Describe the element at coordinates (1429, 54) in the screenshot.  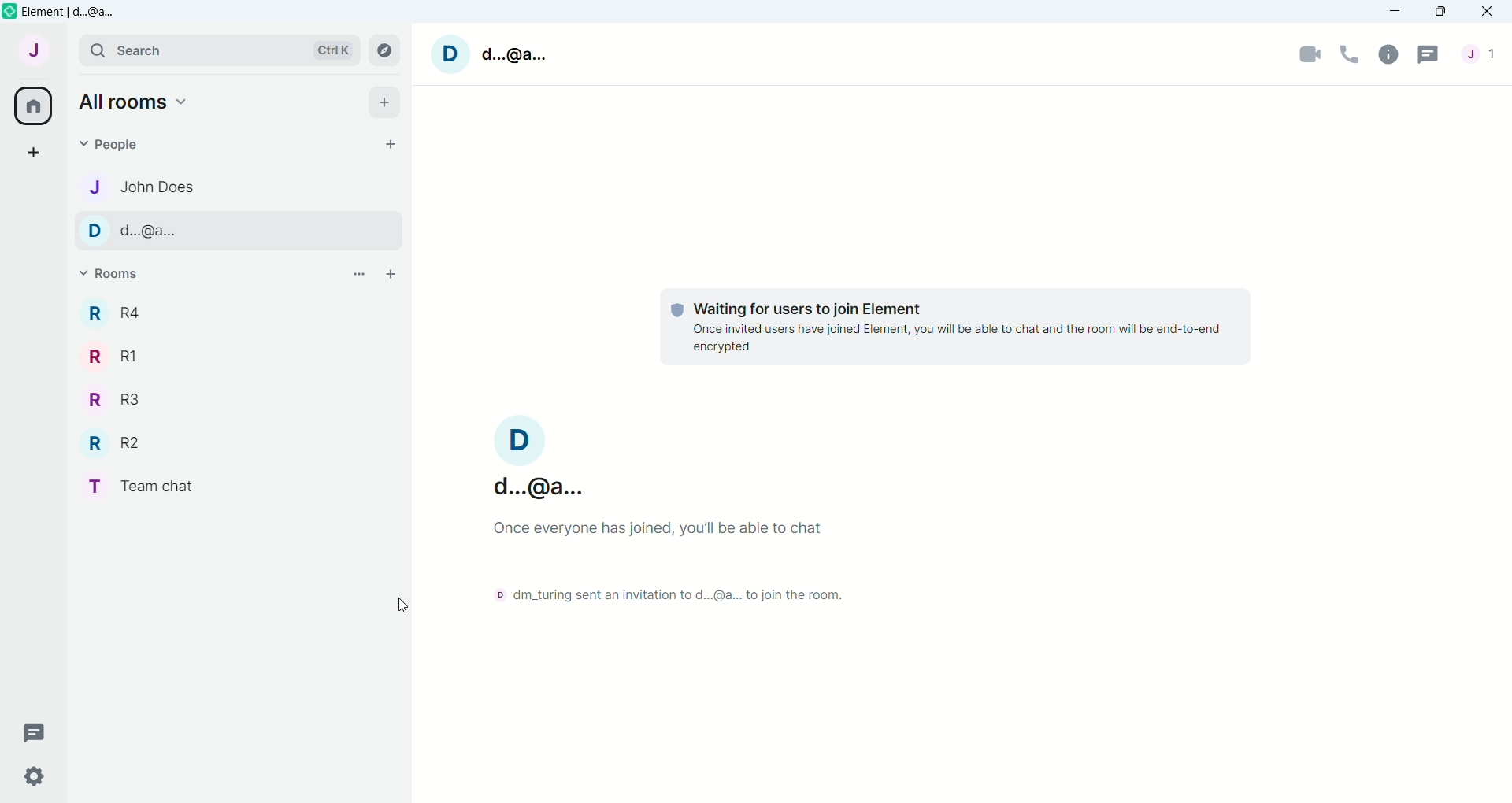
I see `Threads` at that location.